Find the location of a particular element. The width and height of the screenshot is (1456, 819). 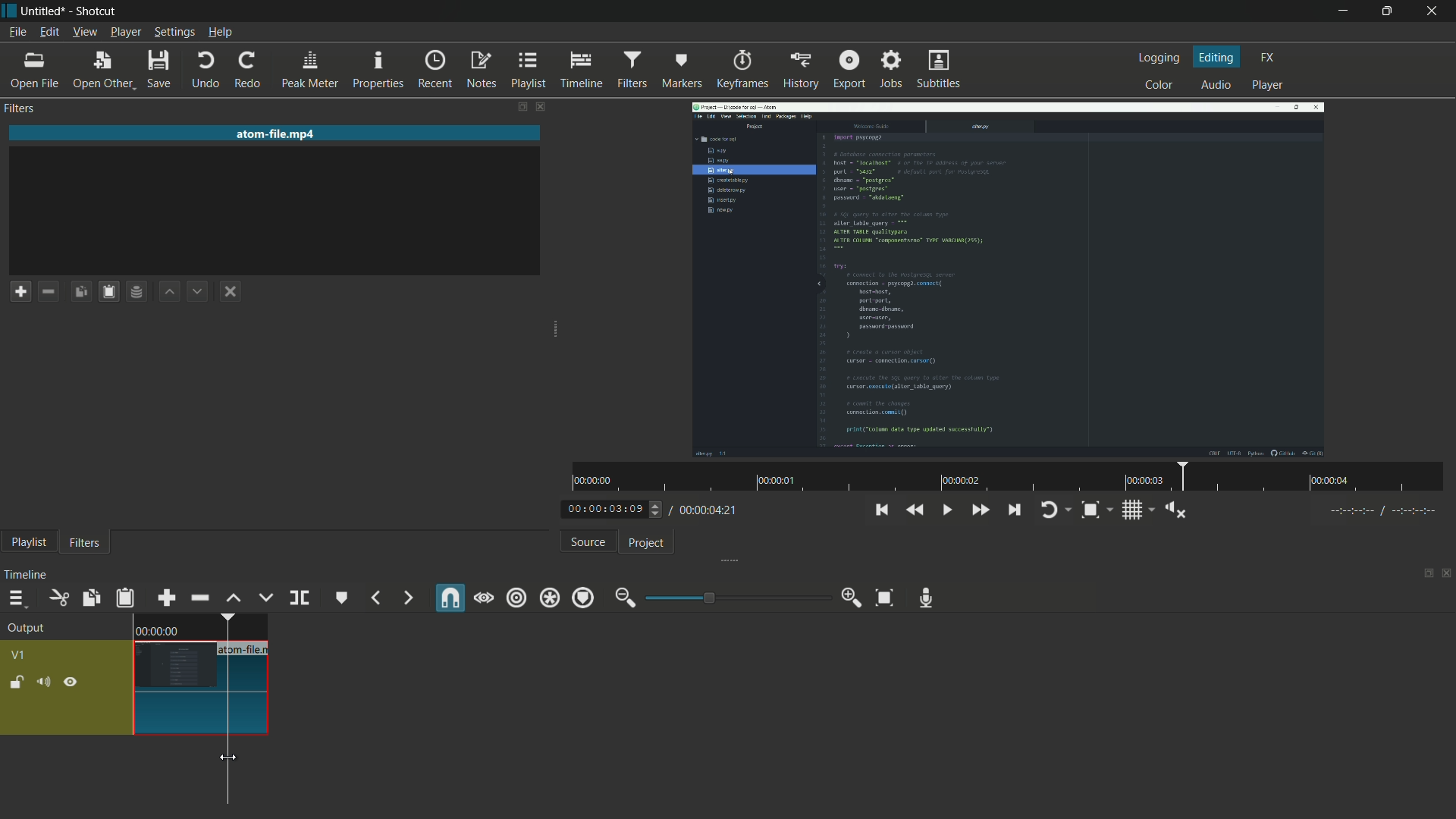

settings menu is located at coordinates (175, 33).